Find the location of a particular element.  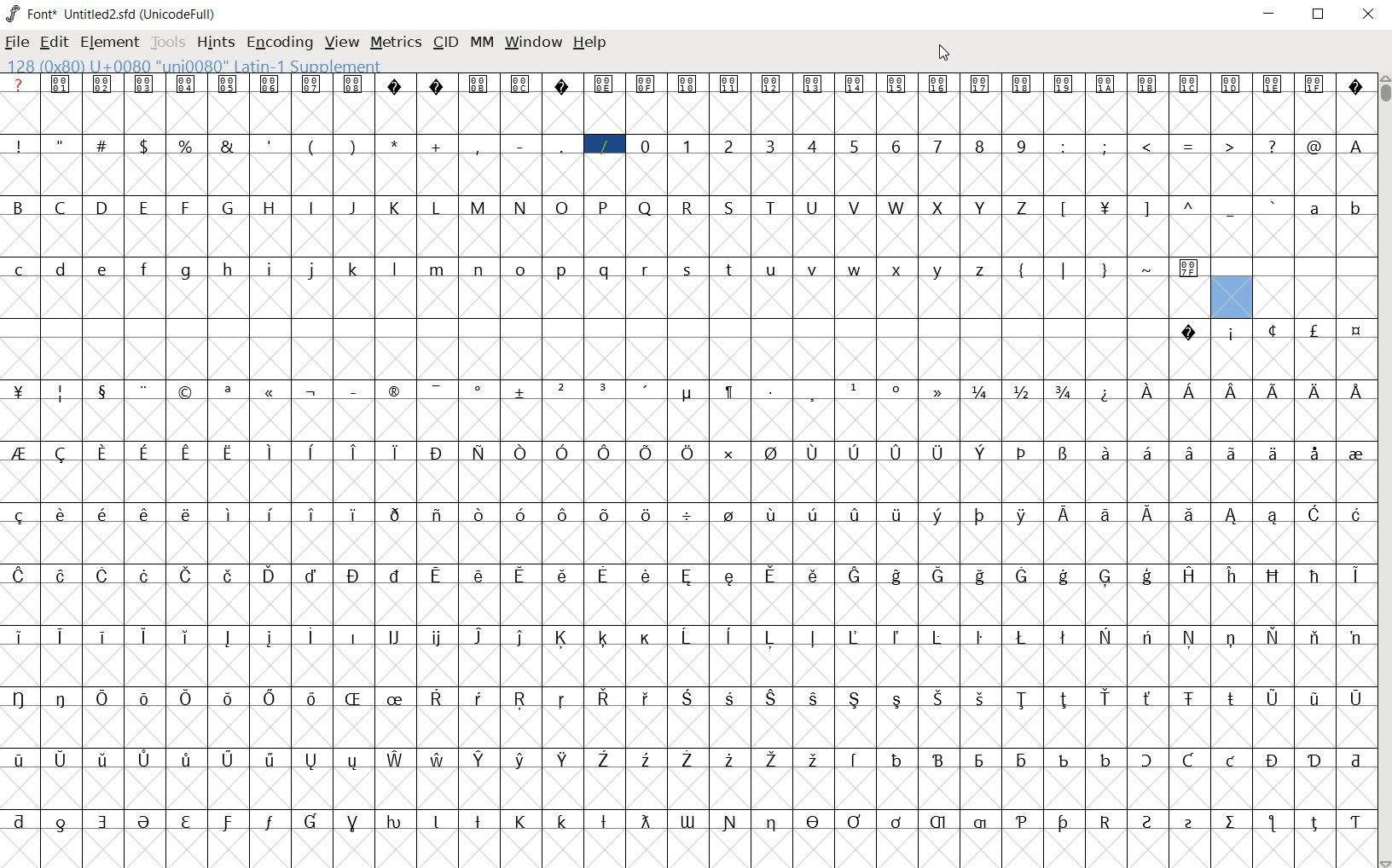

glyph is located at coordinates (478, 270).